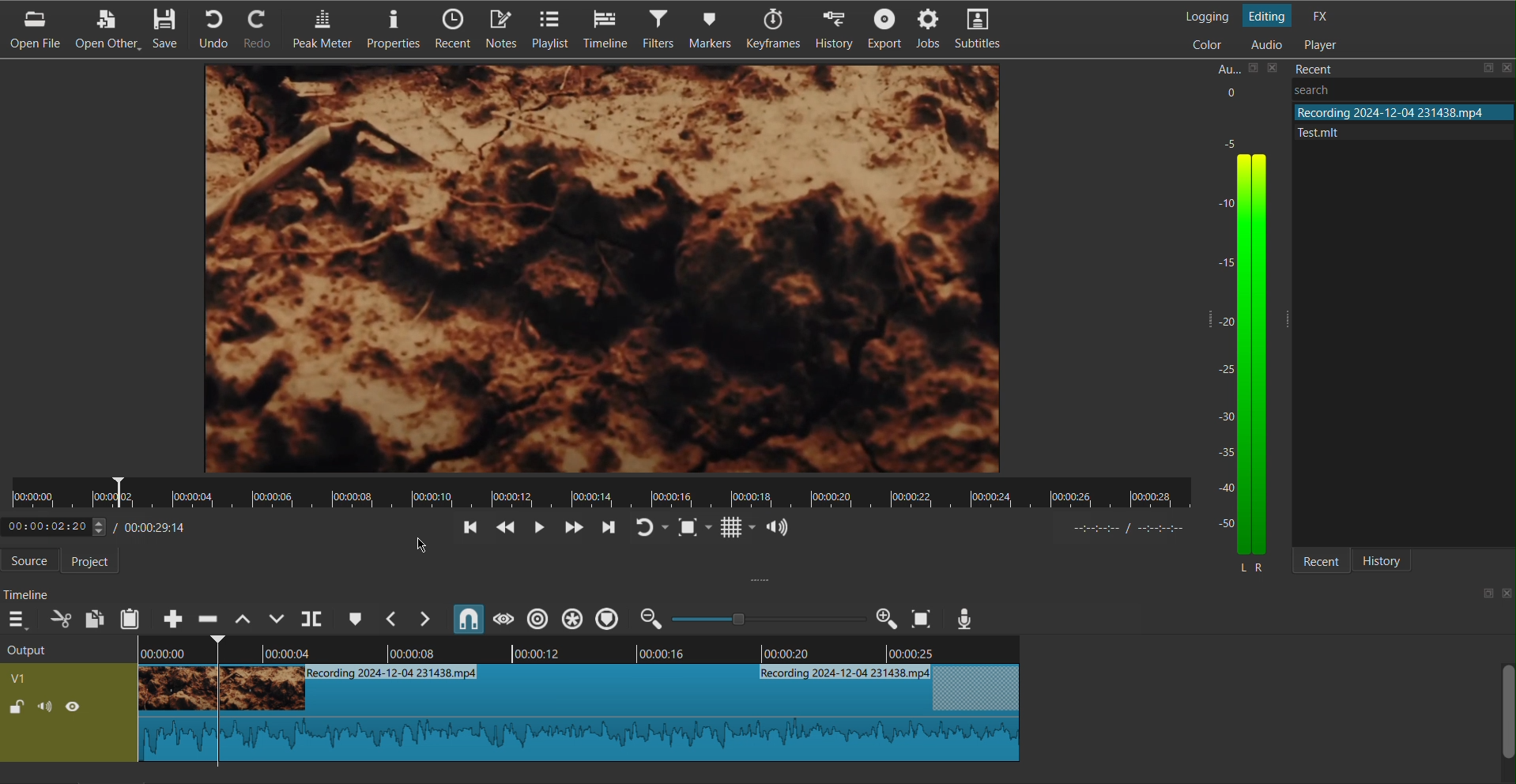  I want to click on Markers, so click(710, 31).